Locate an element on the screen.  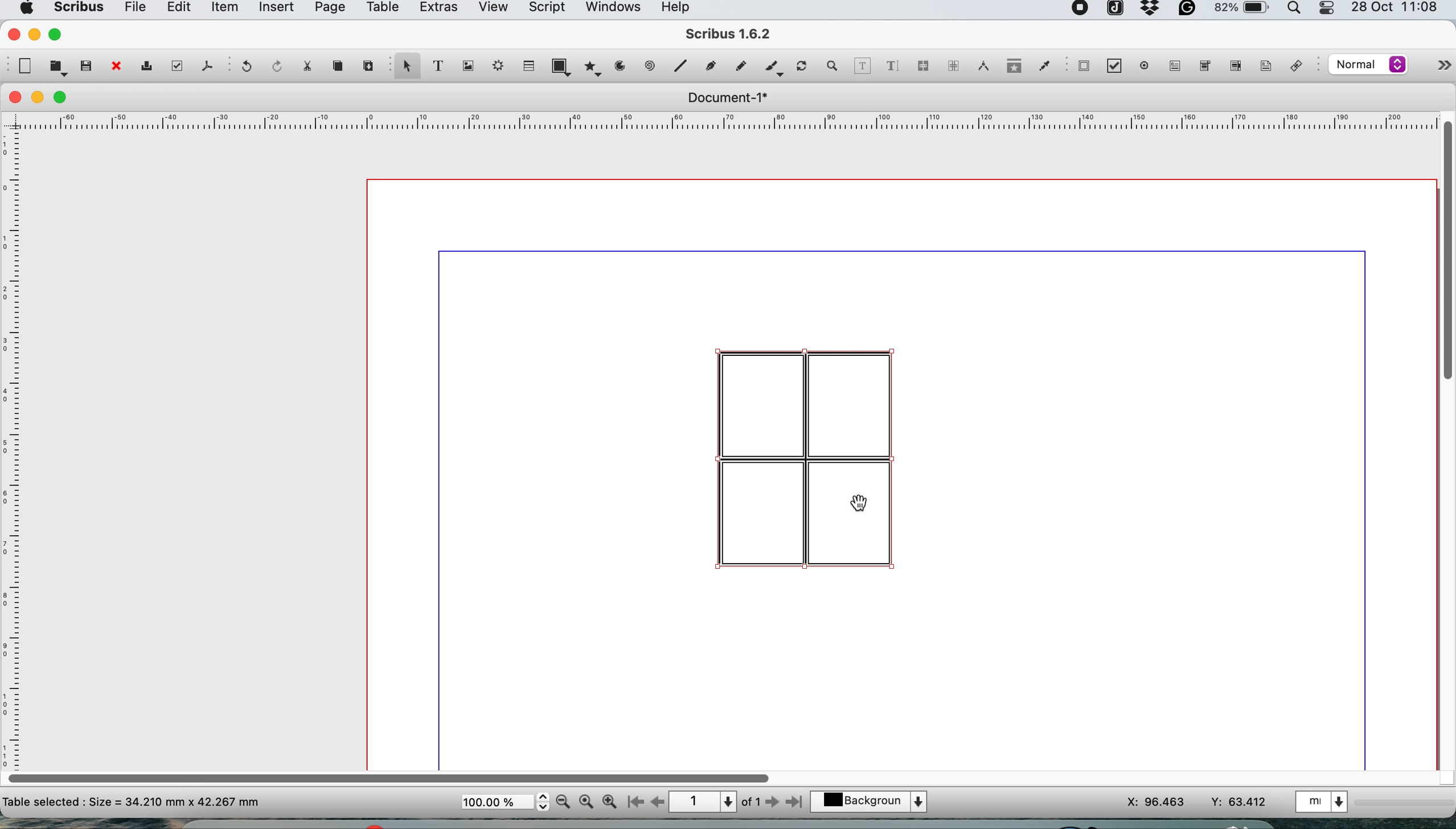
paste is located at coordinates (367, 64).